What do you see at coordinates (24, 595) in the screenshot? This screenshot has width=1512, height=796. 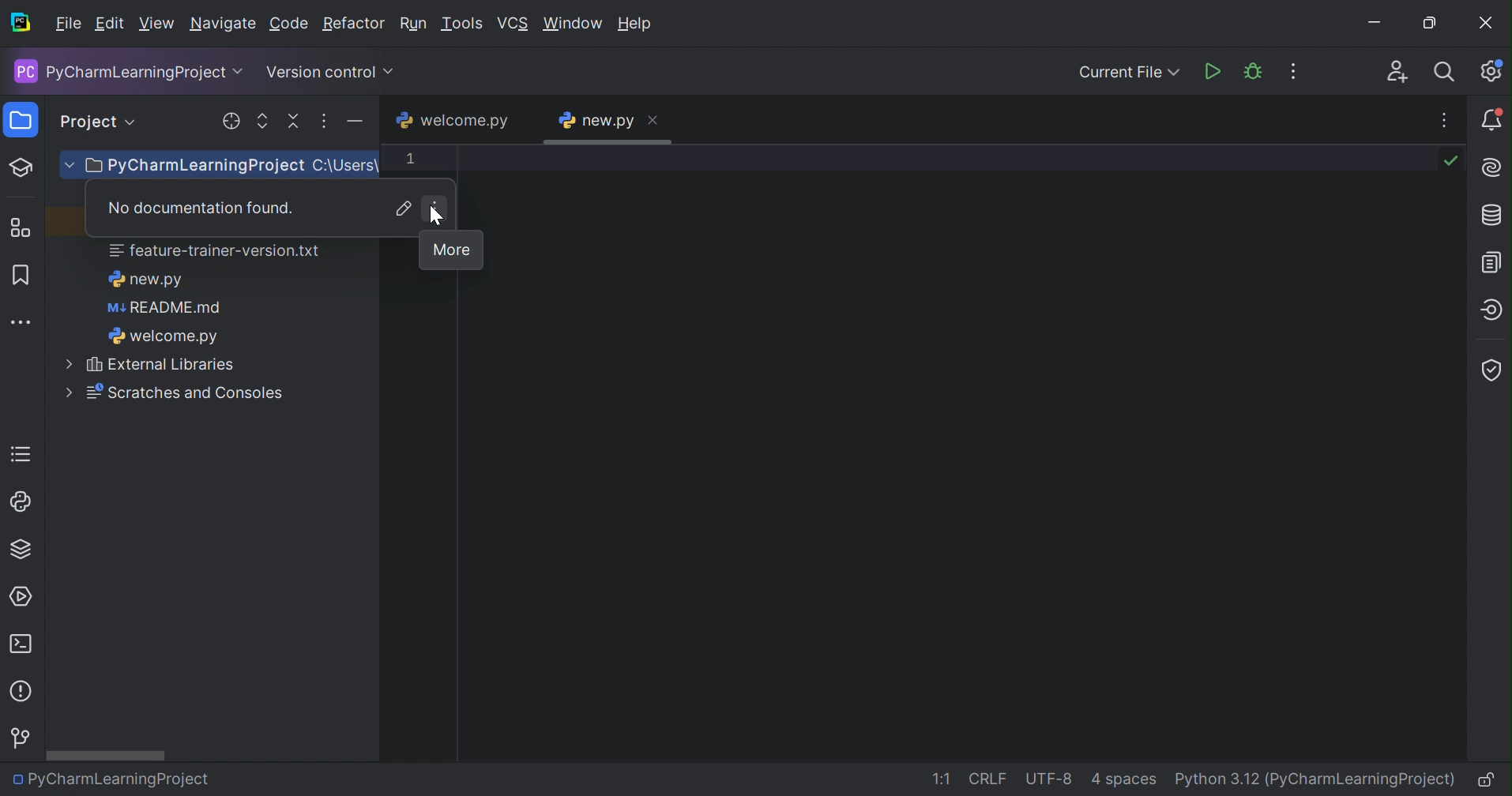 I see `services` at bounding box center [24, 595].